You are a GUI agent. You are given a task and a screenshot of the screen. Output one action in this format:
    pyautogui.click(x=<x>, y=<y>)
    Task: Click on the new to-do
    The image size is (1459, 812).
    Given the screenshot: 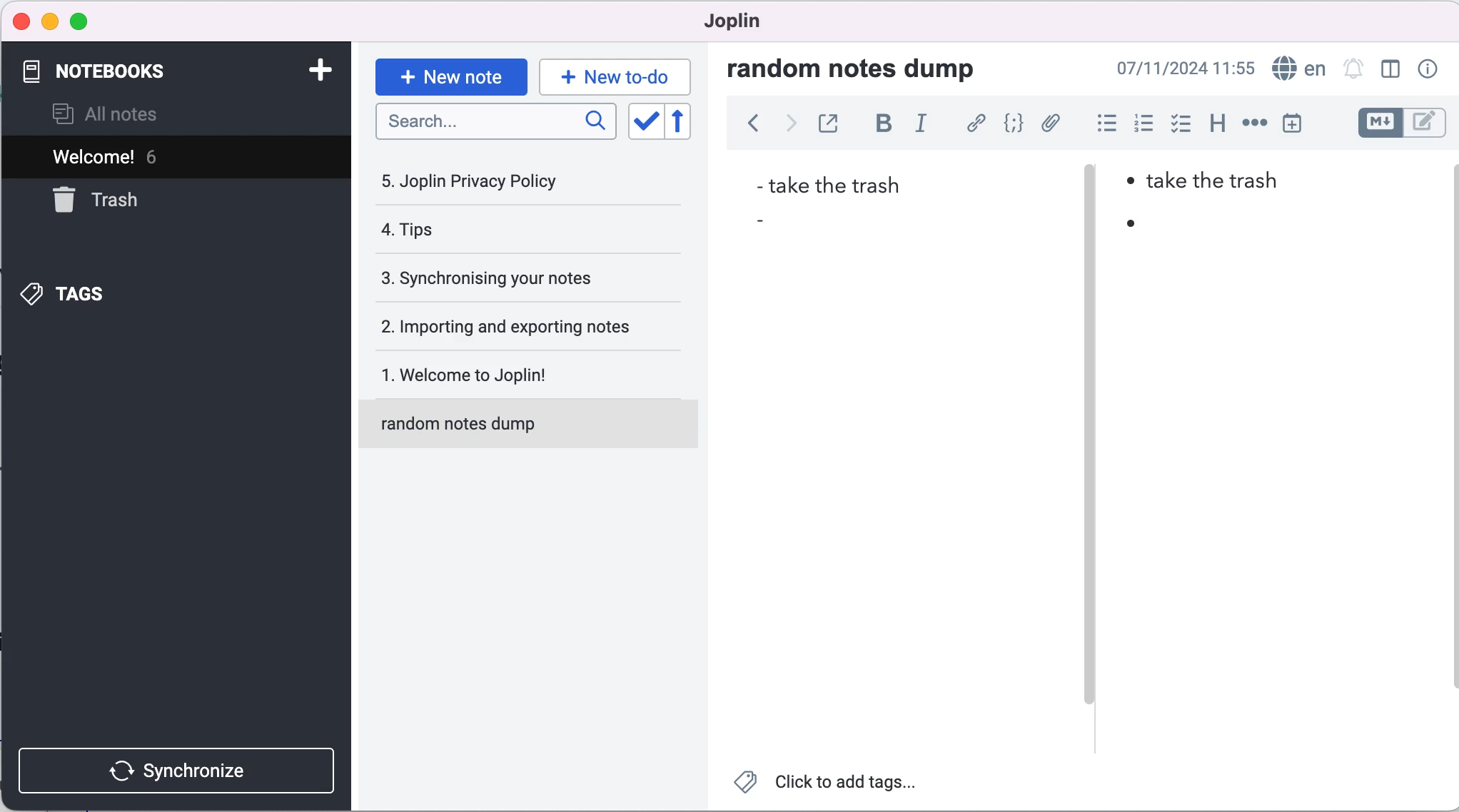 What is the action you would take?
    pyautogui.click(x=617, y=76)
    